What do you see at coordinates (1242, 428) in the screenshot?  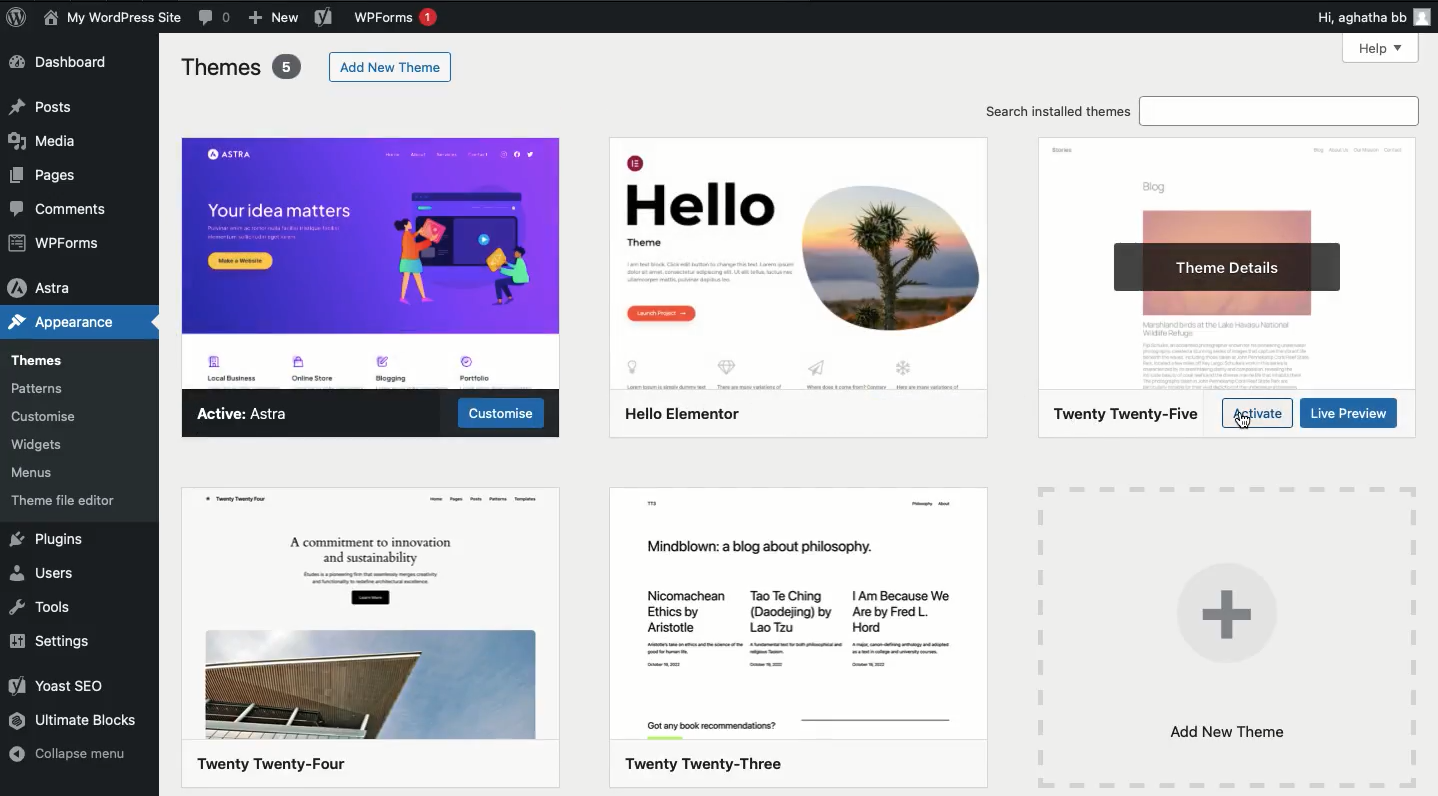 I see `cursor` at bounding box center [1242, 428].